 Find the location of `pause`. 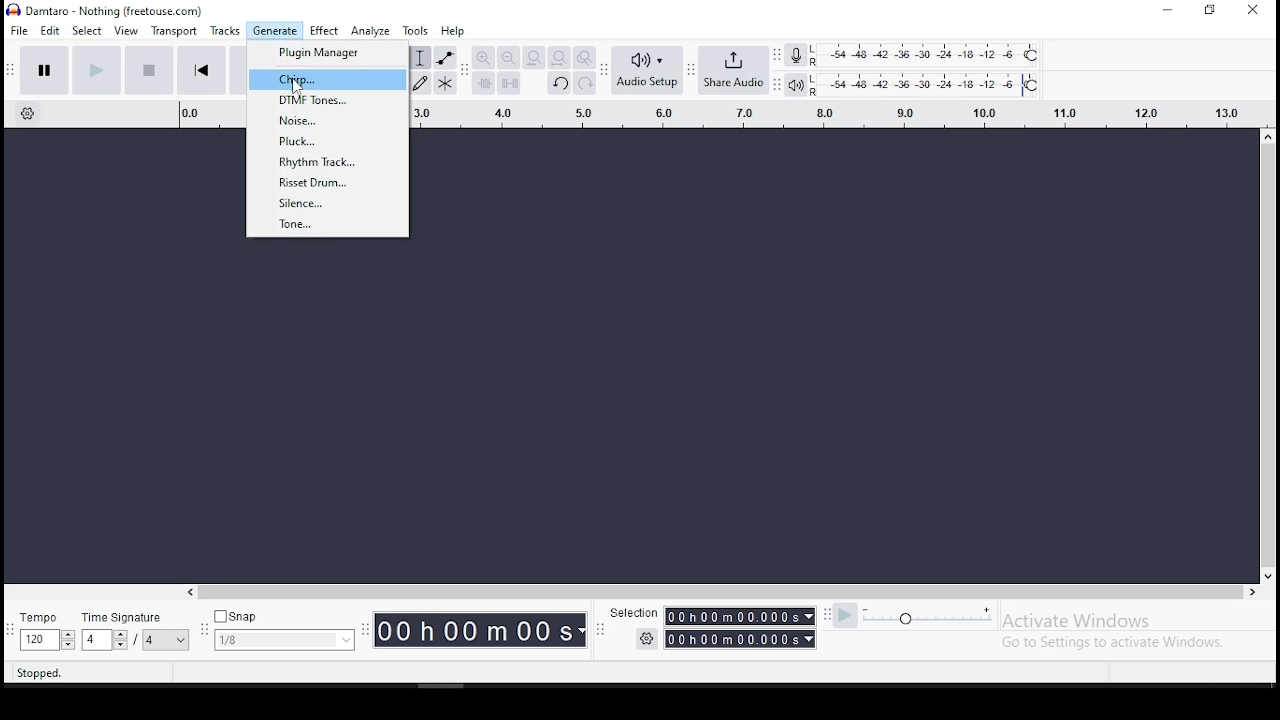

pause is located at coordinates (45, 69).